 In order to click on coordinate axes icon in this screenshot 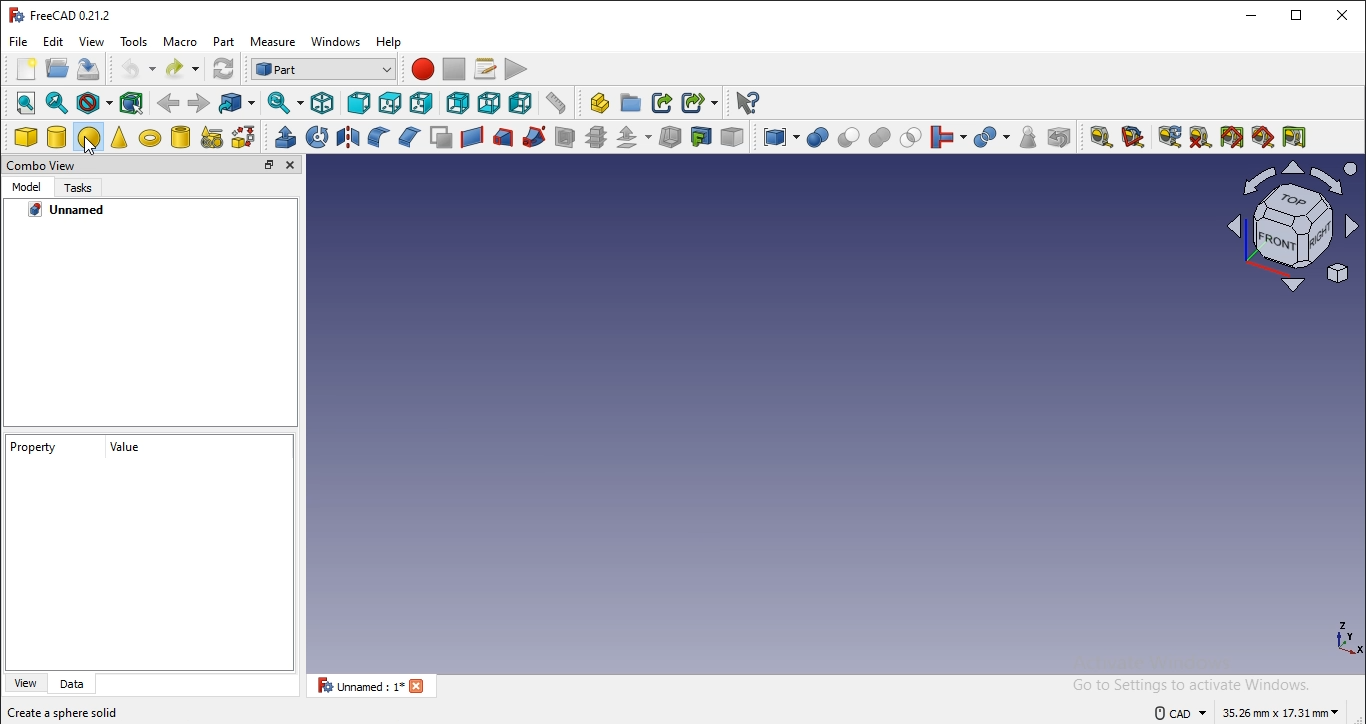, I will do `click(1346, 641)`.